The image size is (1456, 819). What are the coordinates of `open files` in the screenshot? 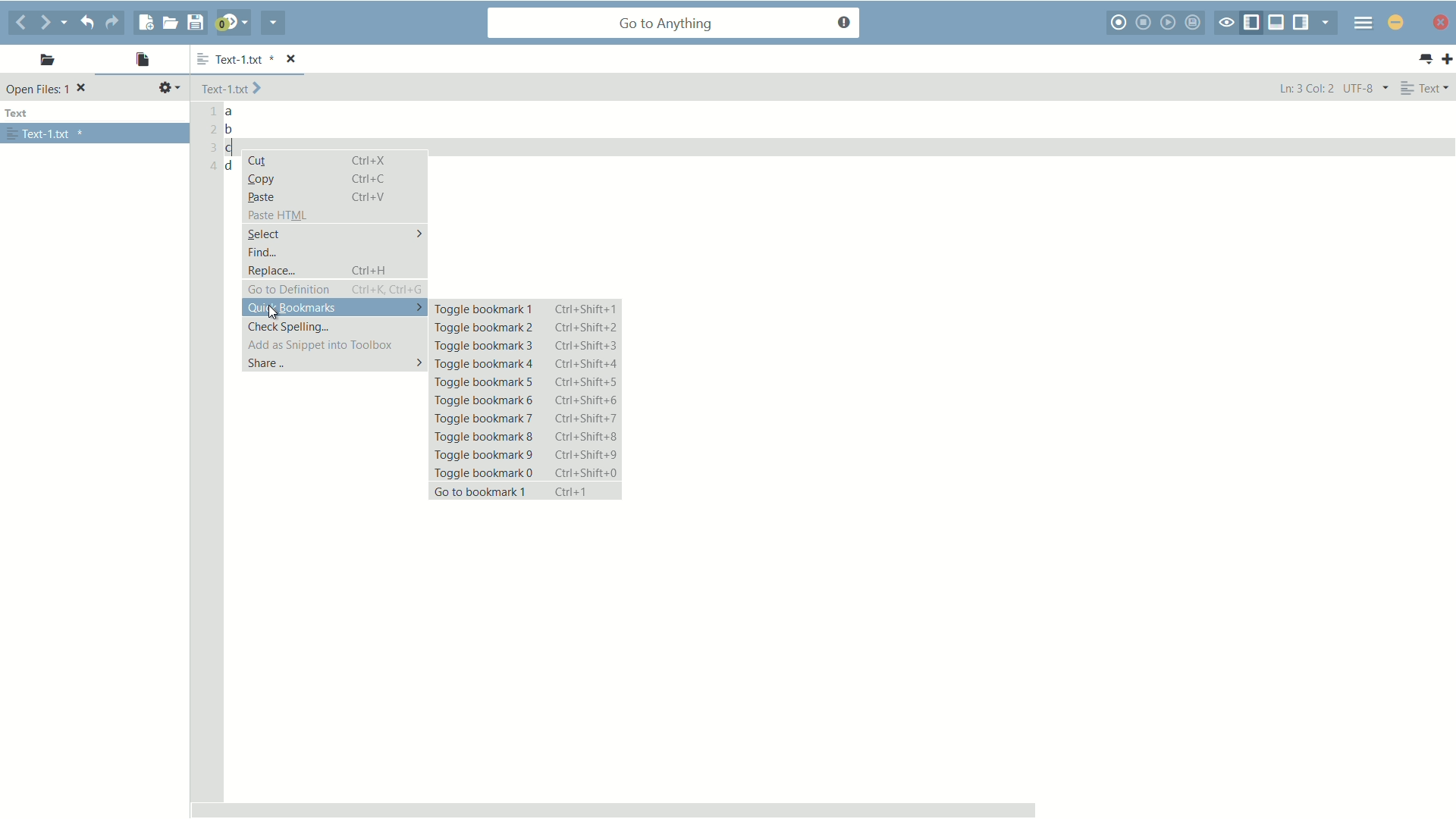 It's located at (142, 60).